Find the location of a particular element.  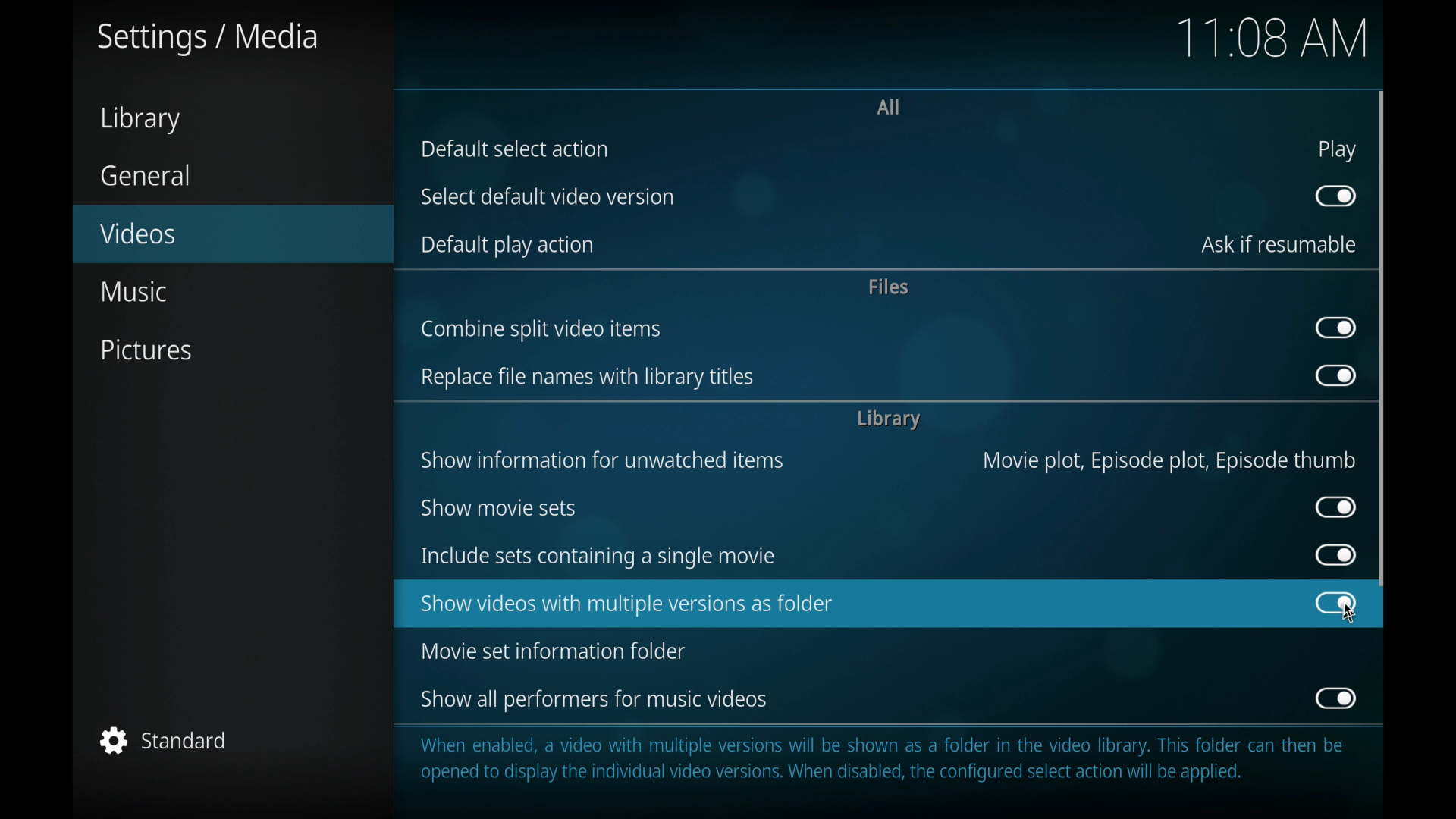

toggle button is located at coordinates (1335, 555).